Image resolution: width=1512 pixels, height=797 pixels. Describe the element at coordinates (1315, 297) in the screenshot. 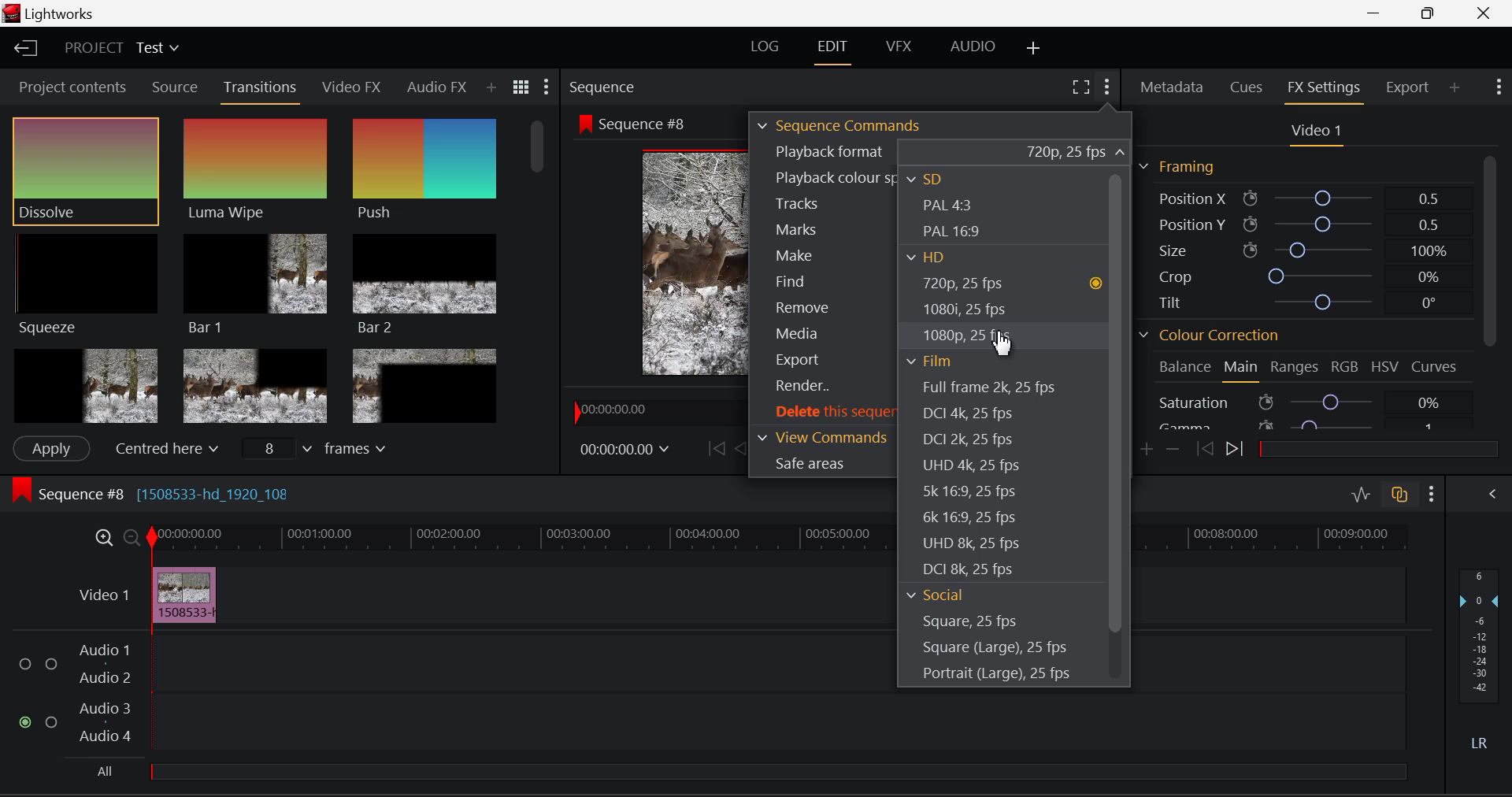

I see `Application Assistant Tip` at that location.